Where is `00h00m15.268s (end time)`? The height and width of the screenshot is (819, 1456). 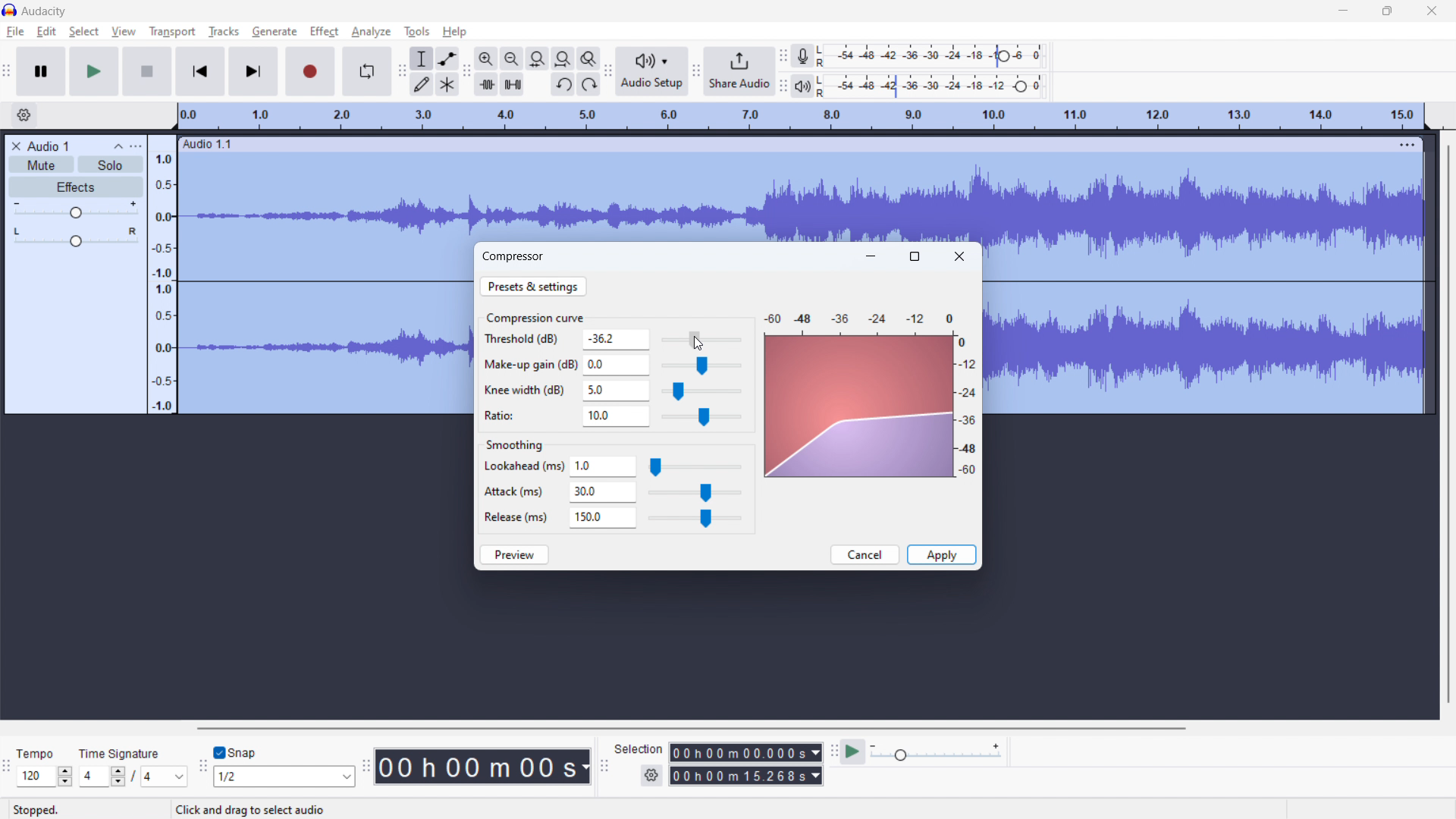 00h00m15.268s (end time) is located at coordinates (746, 776).